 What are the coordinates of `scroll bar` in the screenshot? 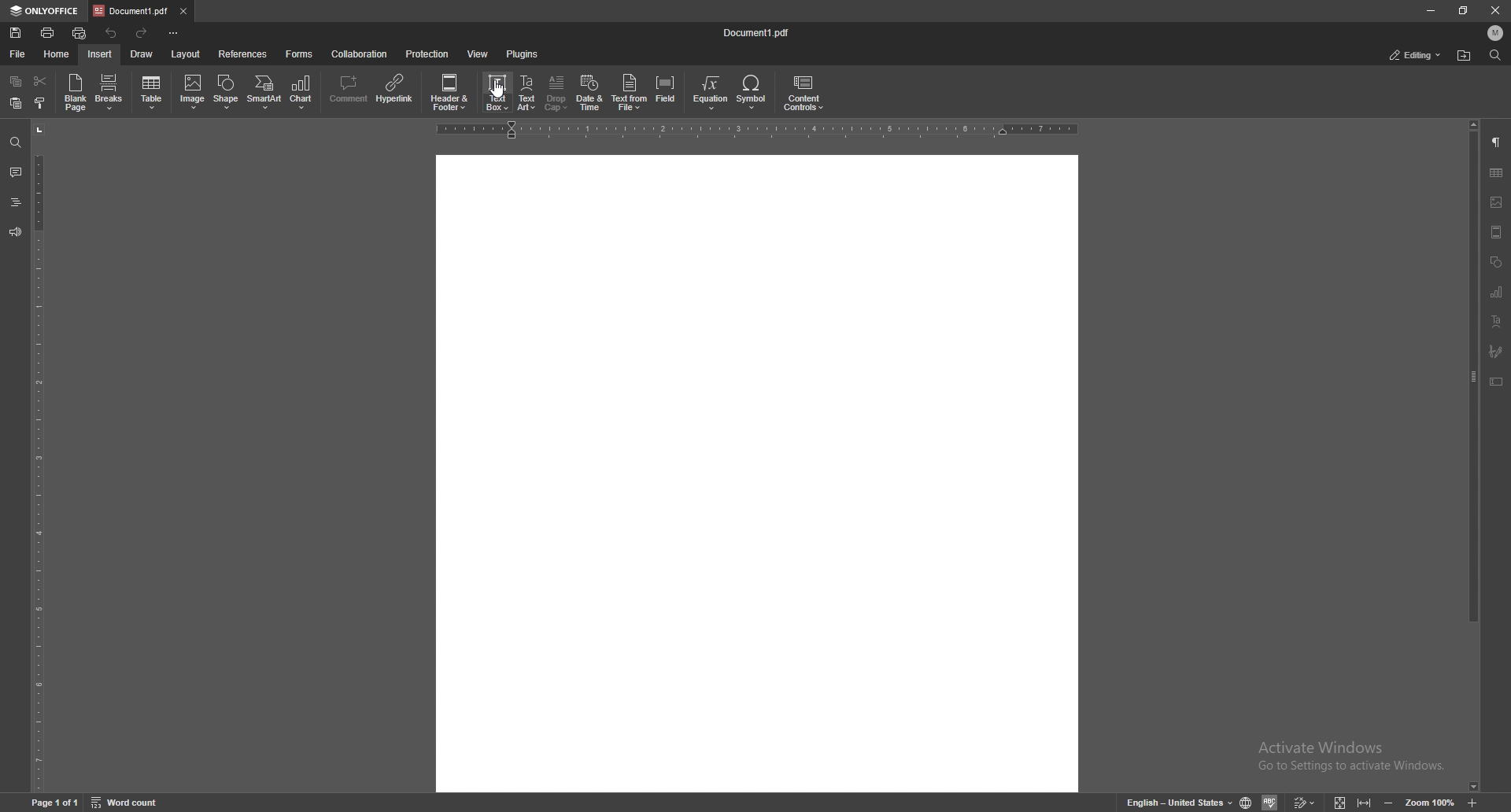 It's located at (1472, 456).